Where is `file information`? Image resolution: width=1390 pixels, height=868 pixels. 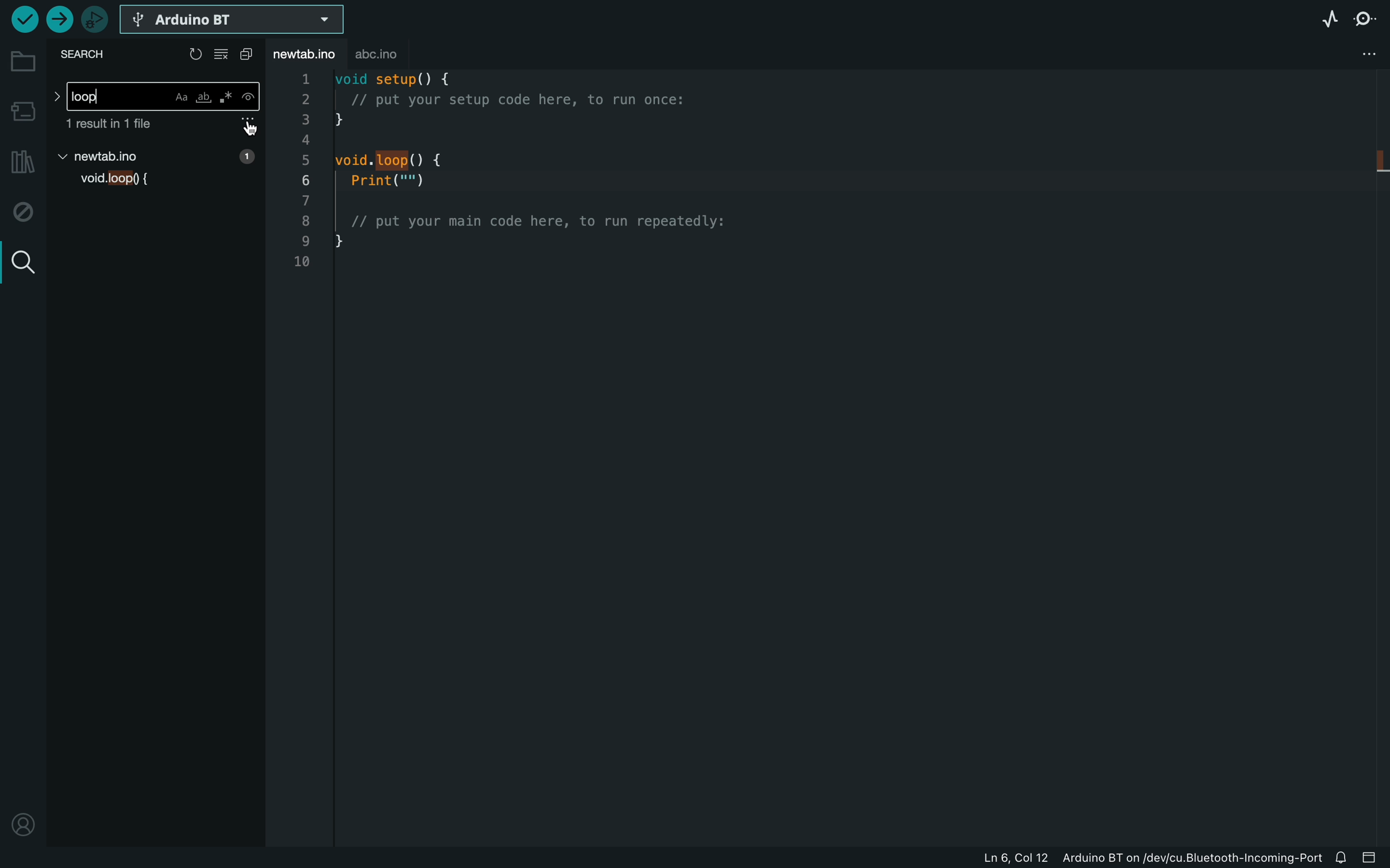
file information is located at coordinates (1098, 856).